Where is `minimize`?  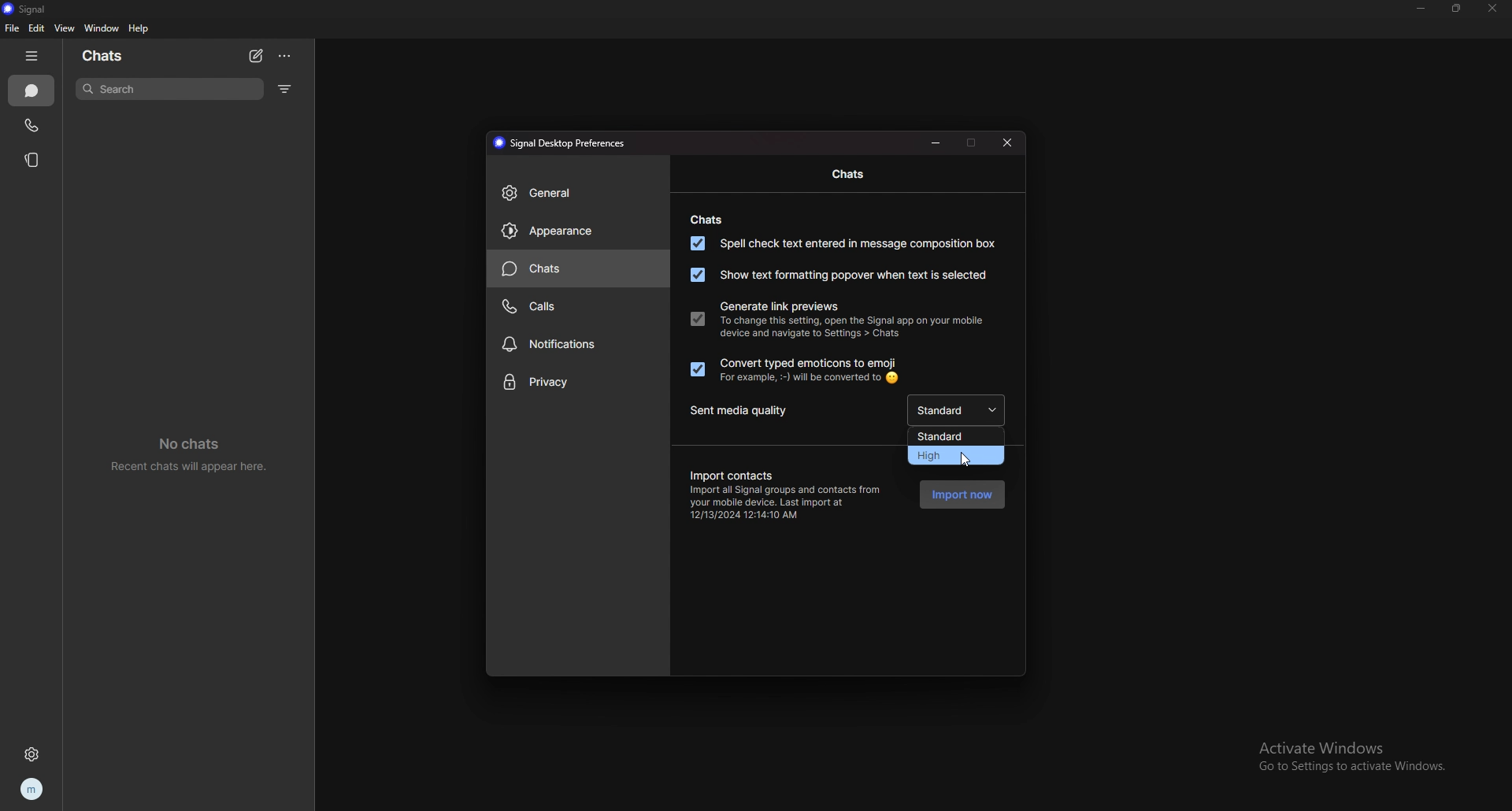
minimize is located at coordinates (1421, 8).